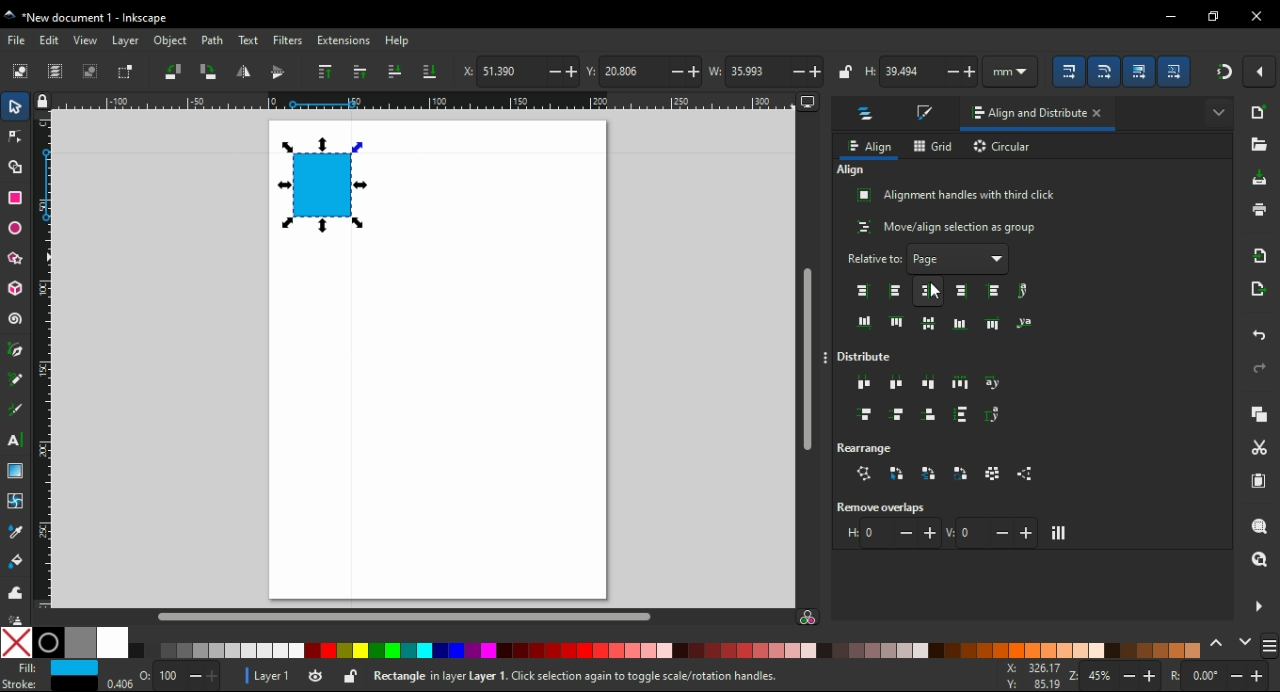 This screenshot has width=1280, height=692. I want to click on paint bucket tool, so click(16, 560).